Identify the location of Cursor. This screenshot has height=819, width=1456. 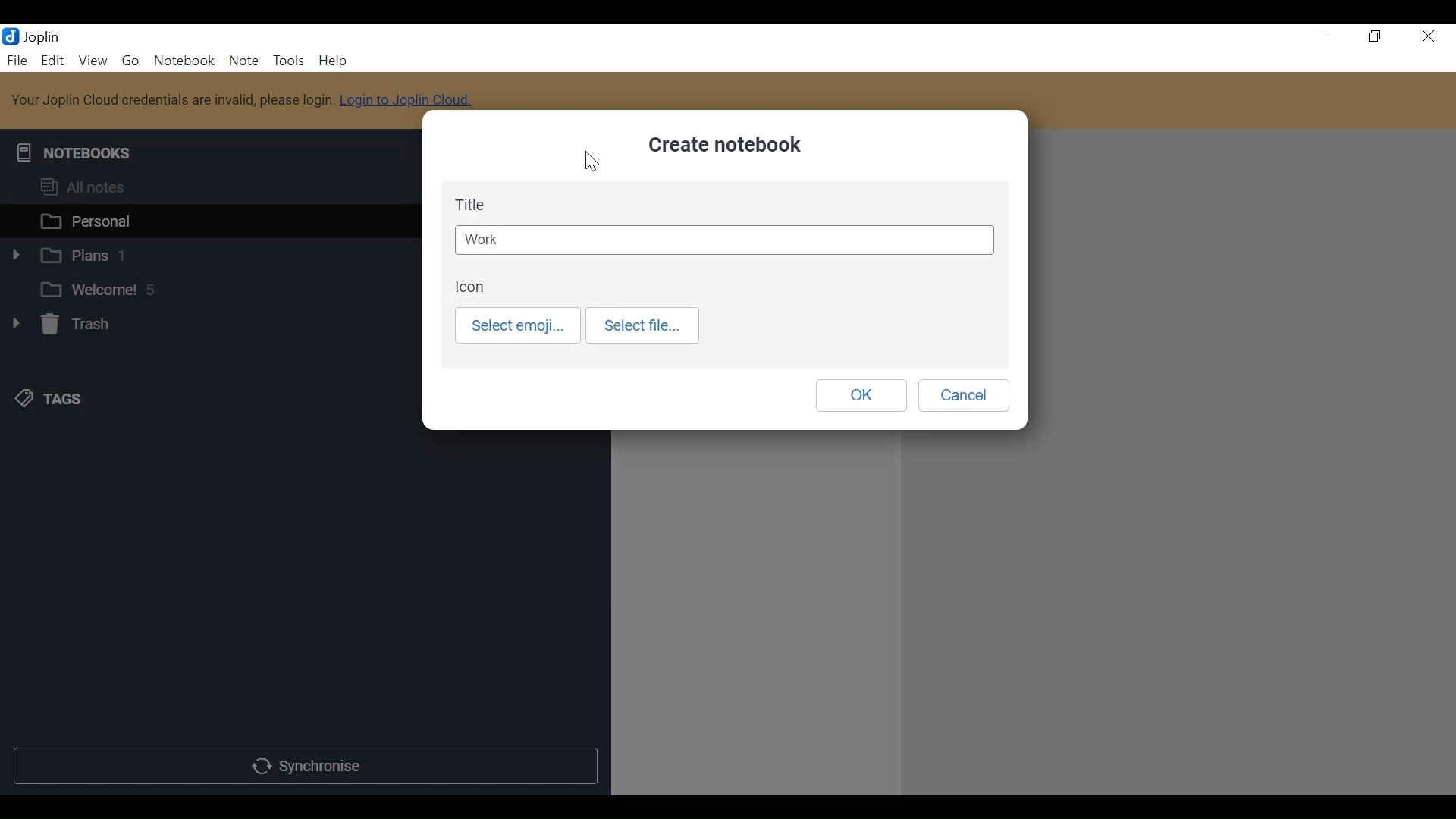
(593, 162).